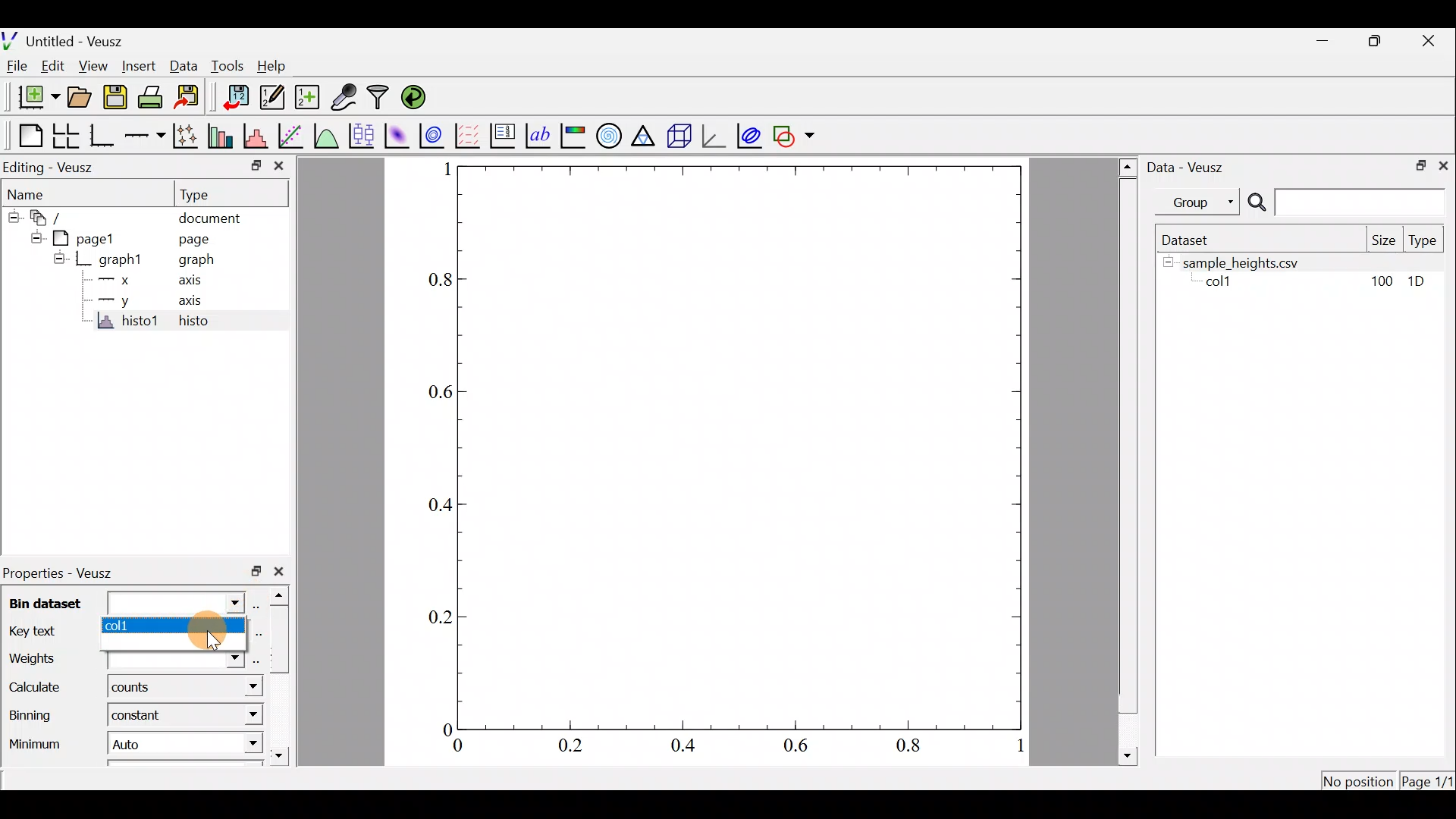 This screenshot has width=1456, height=819. I want to click on Graph, so click(742, 447).